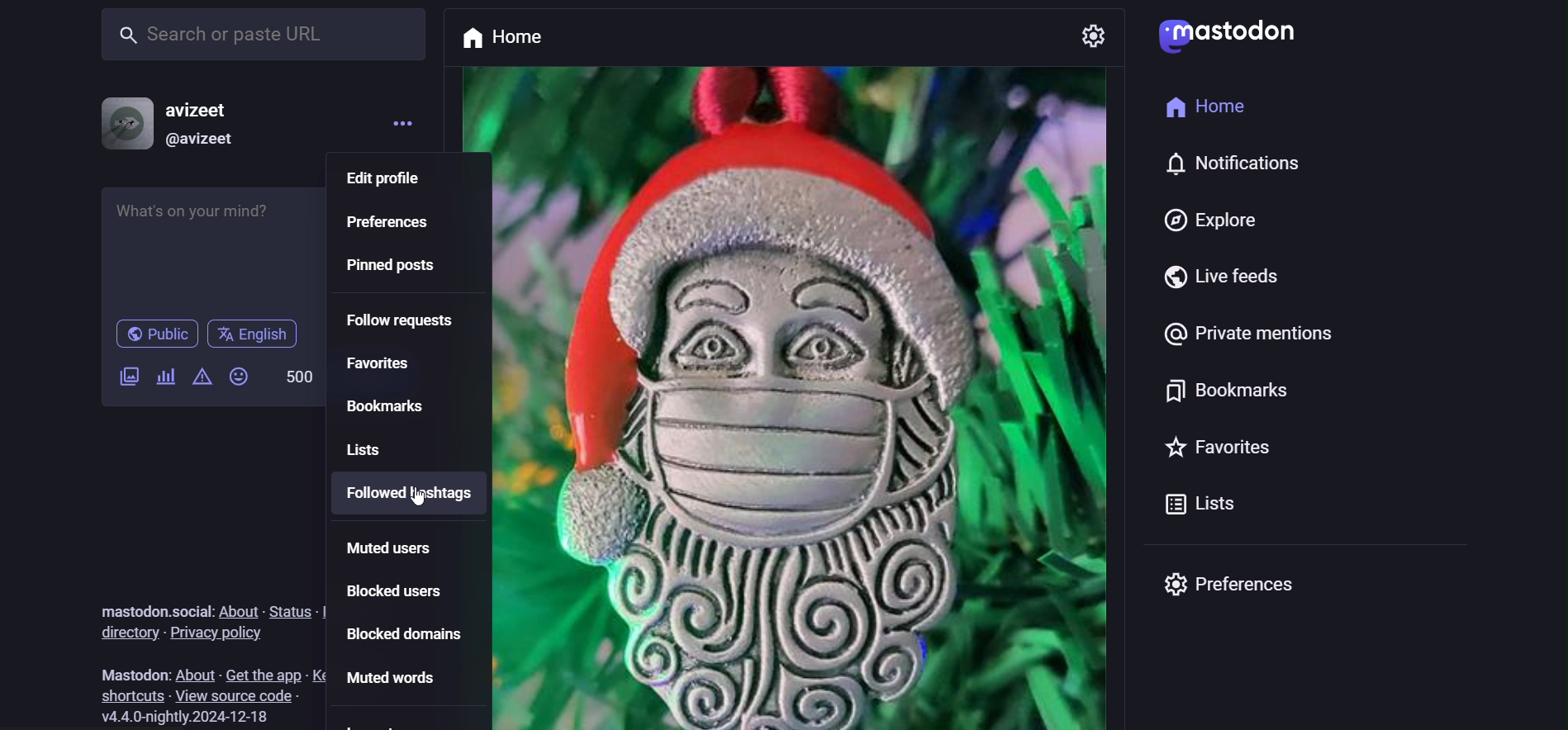 The width and height of the screenshot is (1568, 730). Describe the element at coordinates (1232, 168) in the screenshot. I see `notifications` at that location.